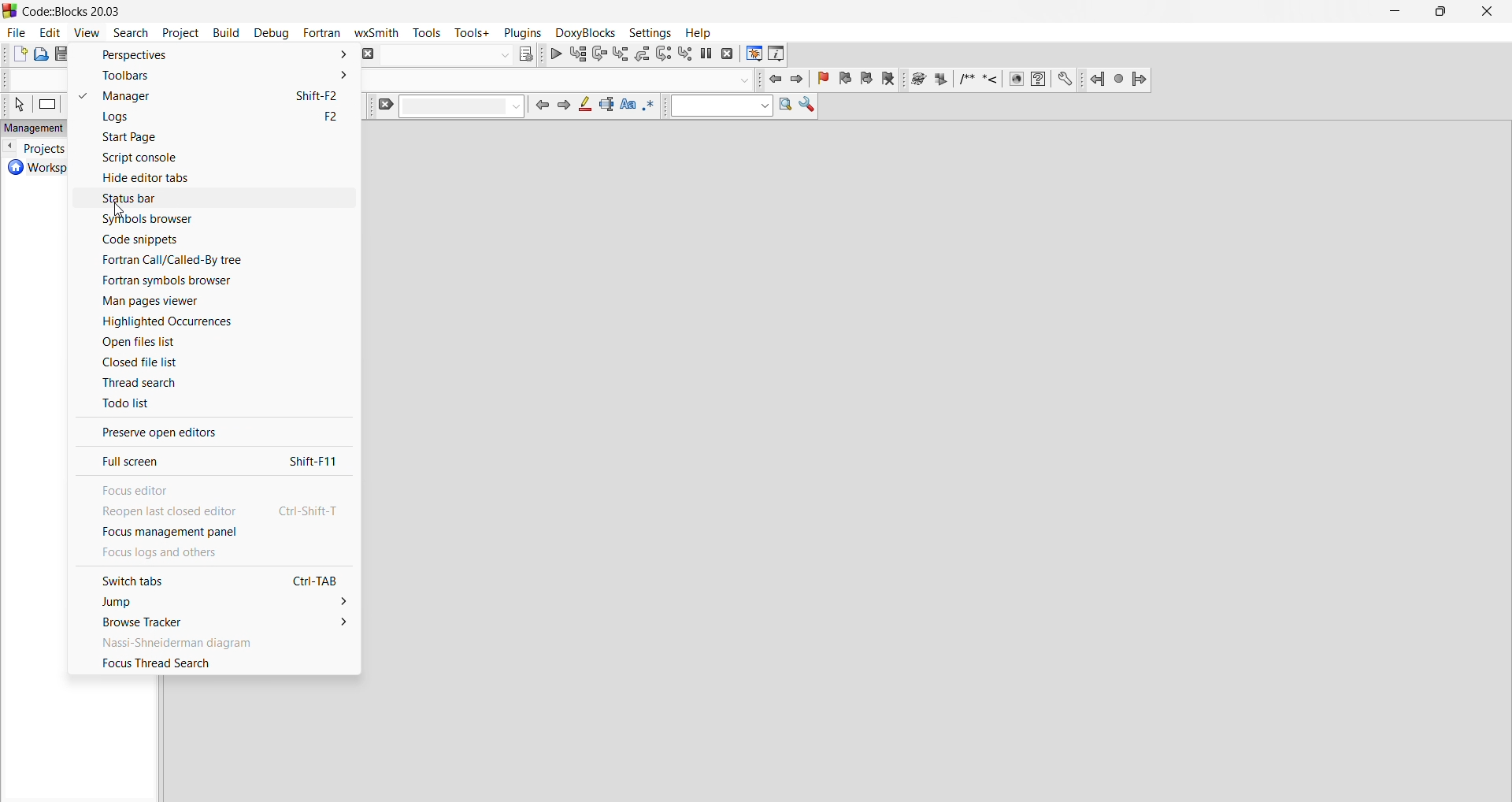  What do you see at coordinates (16, 33) in the screenshot?
I see `file` at bounding box center [16, 33].